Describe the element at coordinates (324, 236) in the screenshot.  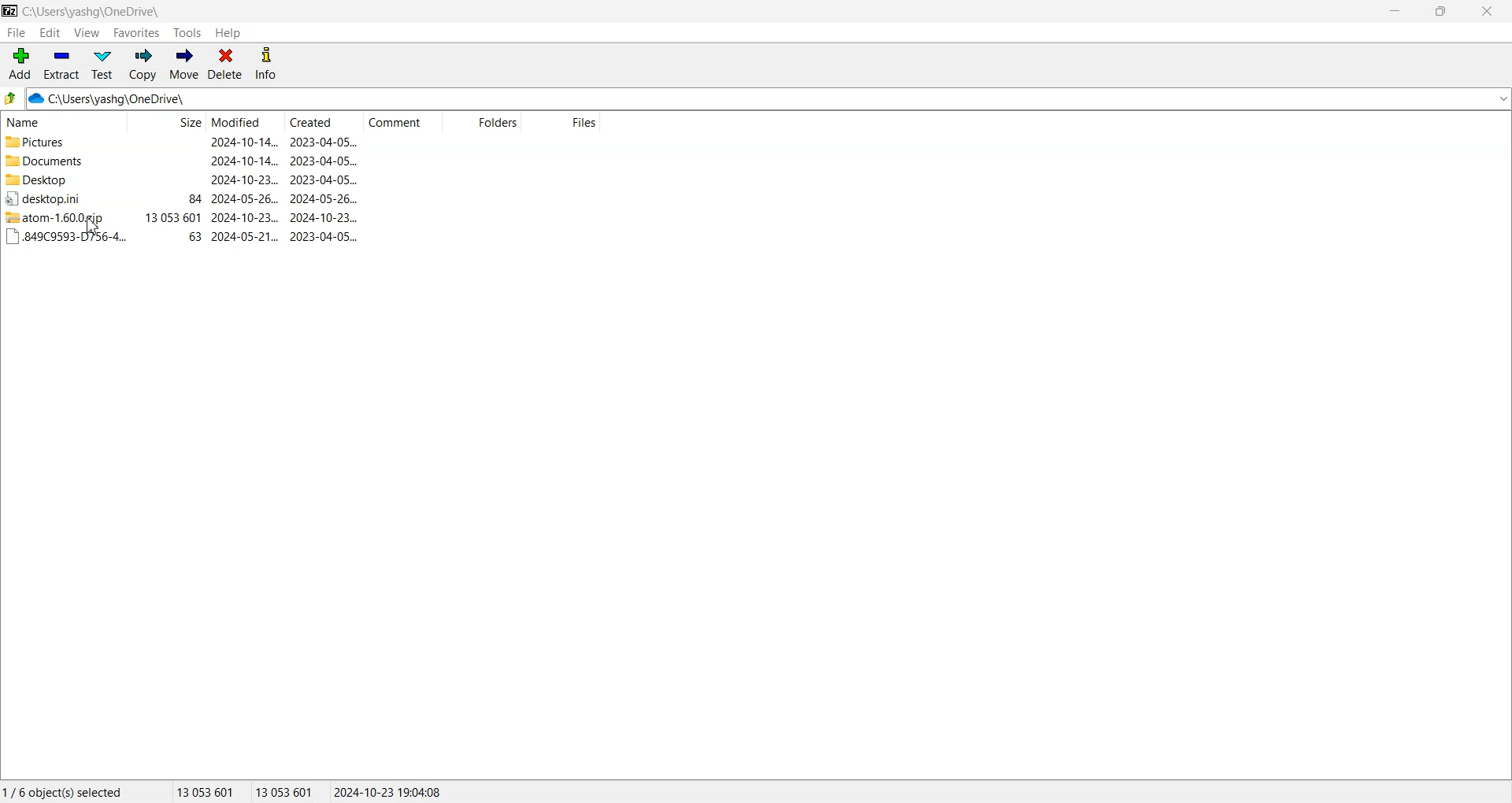
I see `2023-04-05` at that location.